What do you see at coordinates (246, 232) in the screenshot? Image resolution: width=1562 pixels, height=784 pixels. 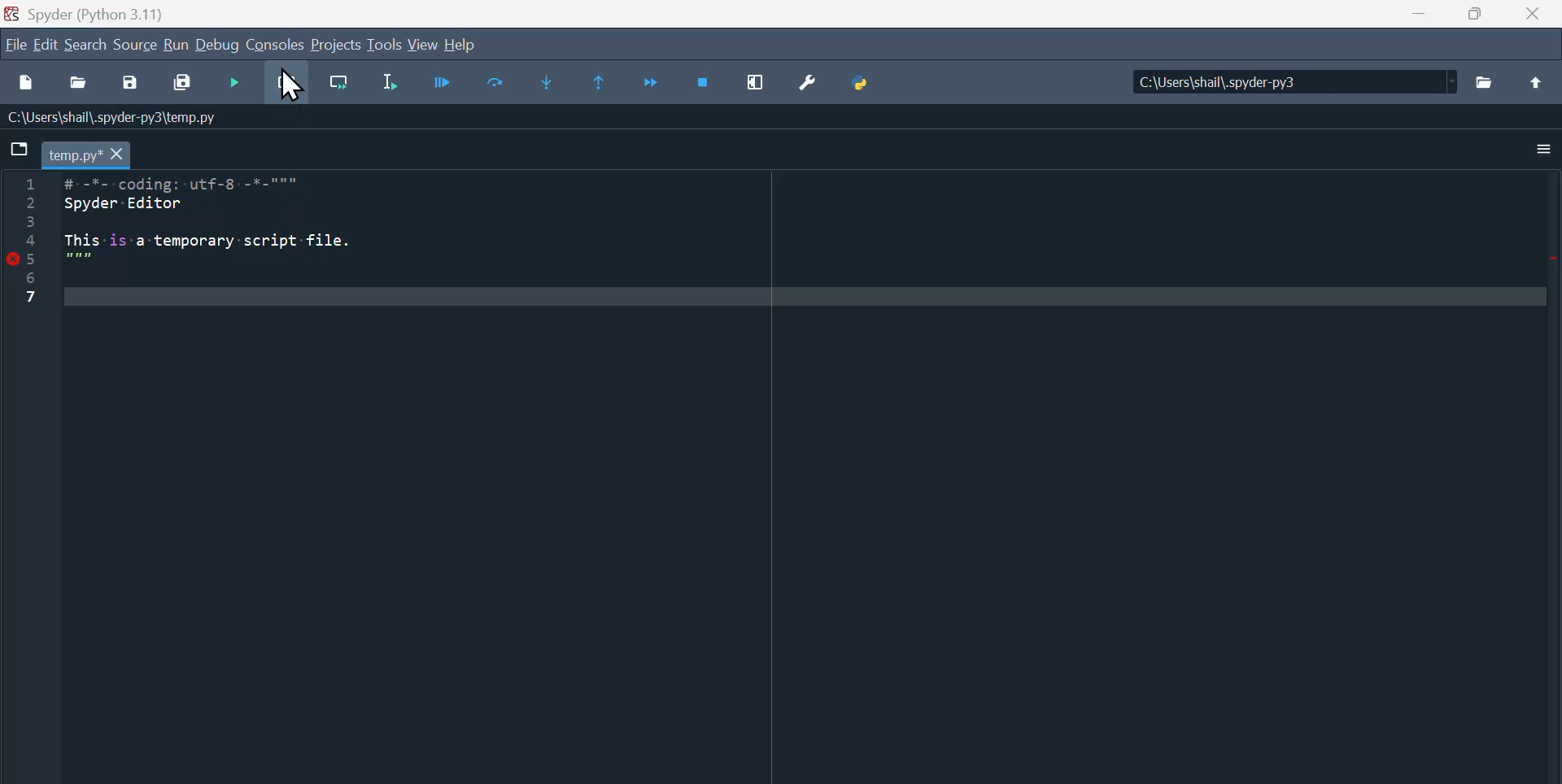 I see `HES ES coding SUE Eo 8ES Eon
Spyder Editor
This is a temporary script file.` at bounding box center [246, 232].